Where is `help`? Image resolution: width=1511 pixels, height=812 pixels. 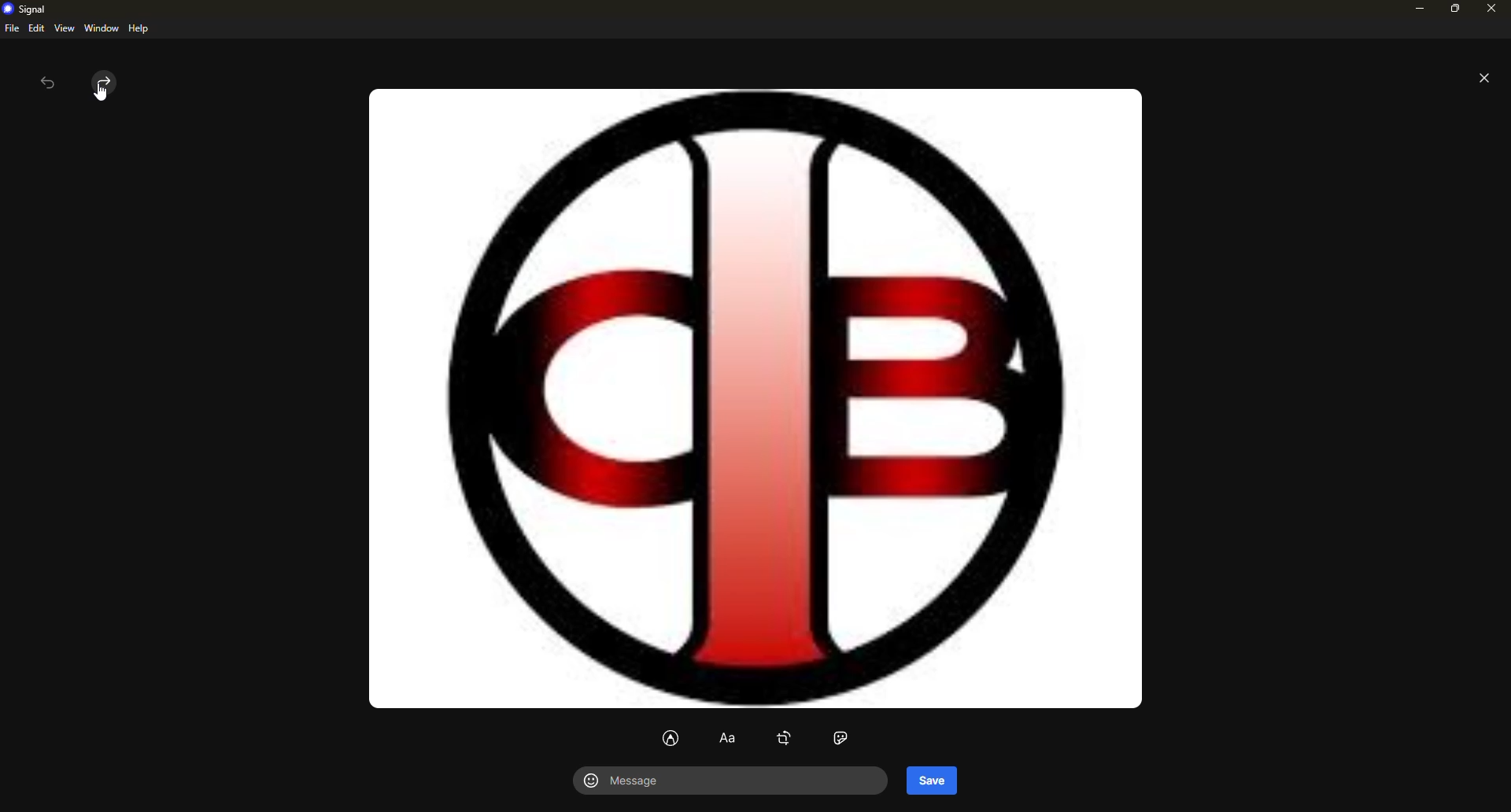
help is located at coordinates (138, 28).